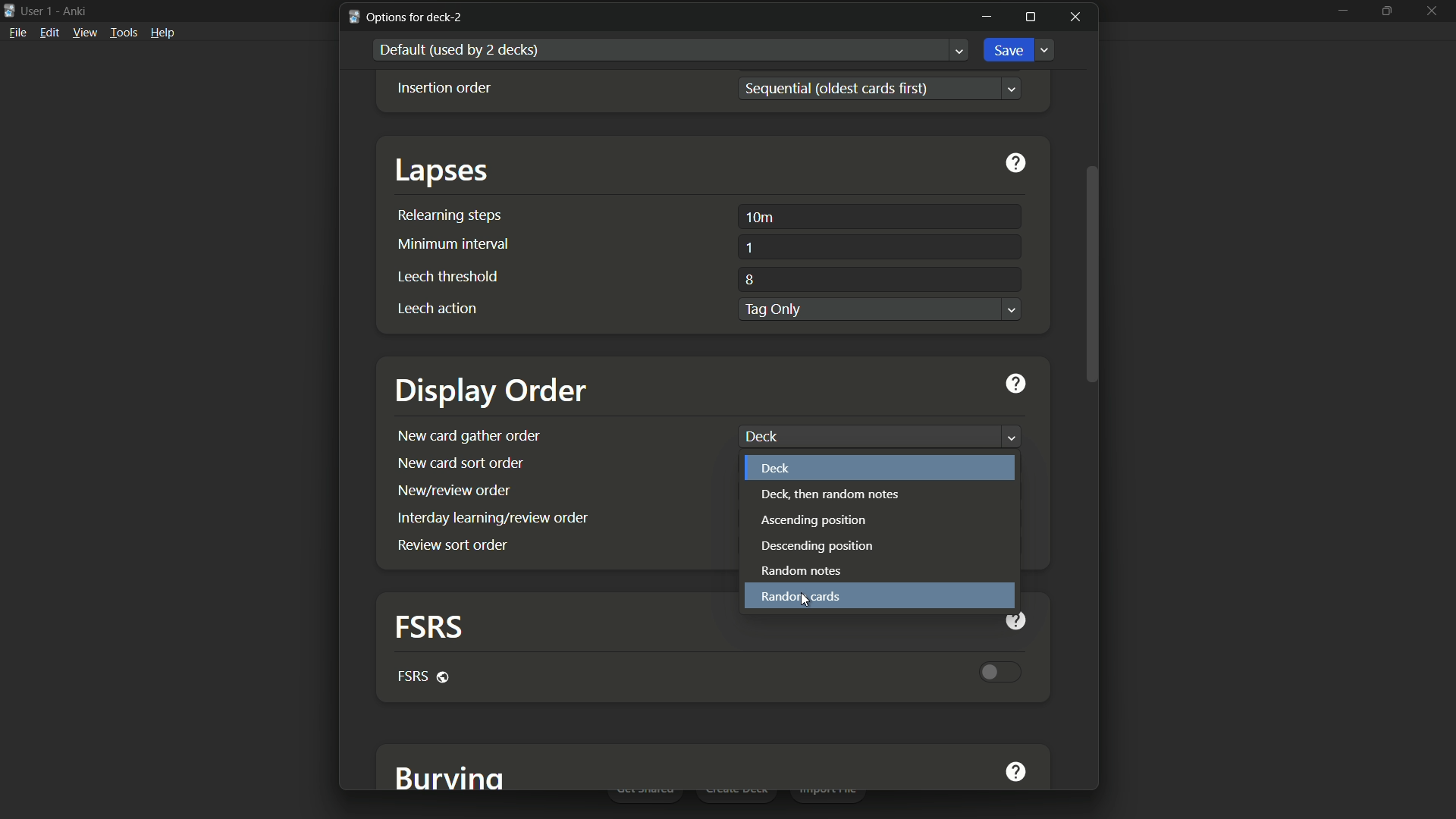 The image size is (1456, 819). Describe the element at coordinates (986, 16) in the screenshot. I see `minimize` at that location.